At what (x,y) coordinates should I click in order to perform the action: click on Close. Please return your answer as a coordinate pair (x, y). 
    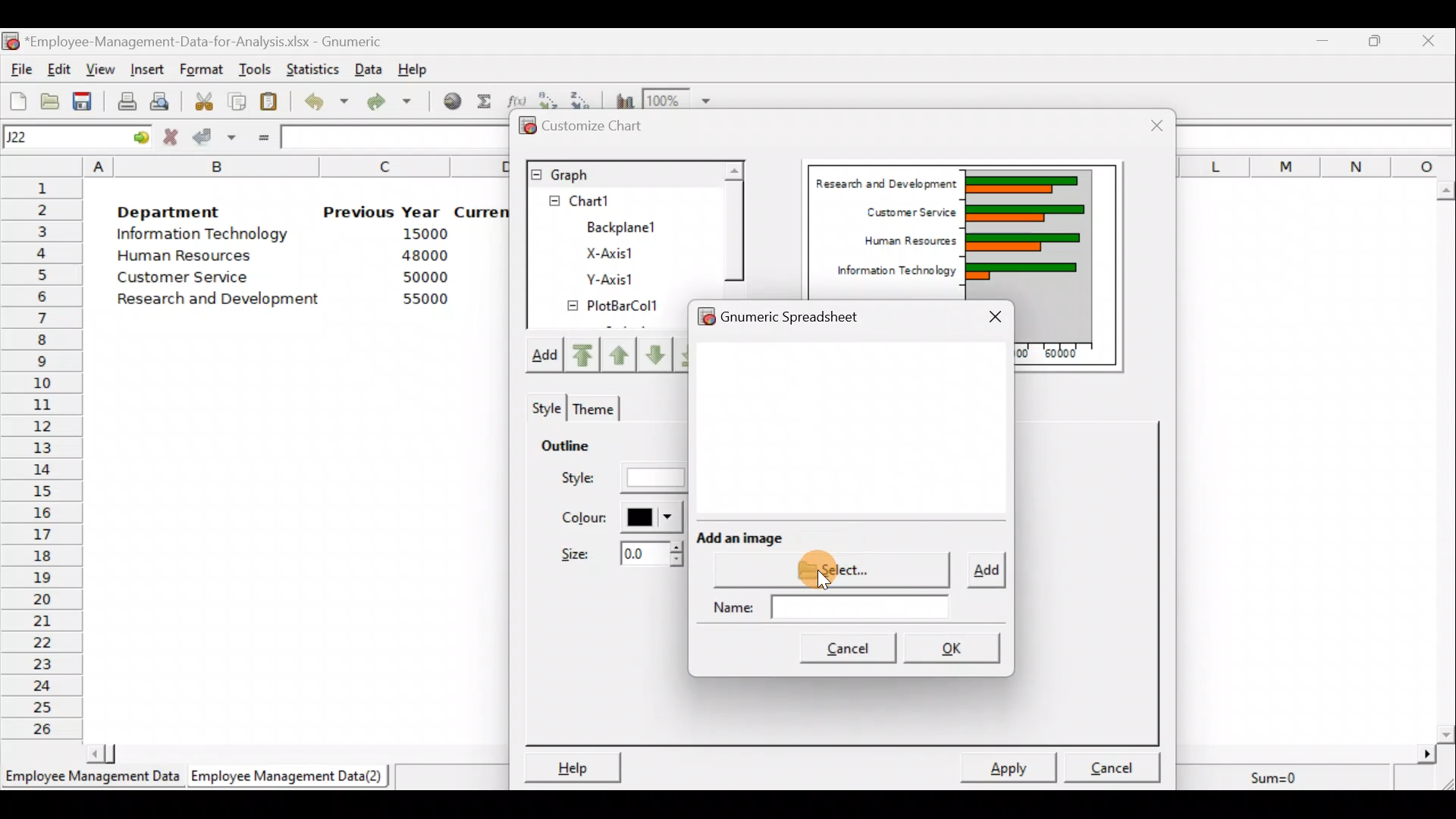
    Looking at the image, I should click on (992, 316).